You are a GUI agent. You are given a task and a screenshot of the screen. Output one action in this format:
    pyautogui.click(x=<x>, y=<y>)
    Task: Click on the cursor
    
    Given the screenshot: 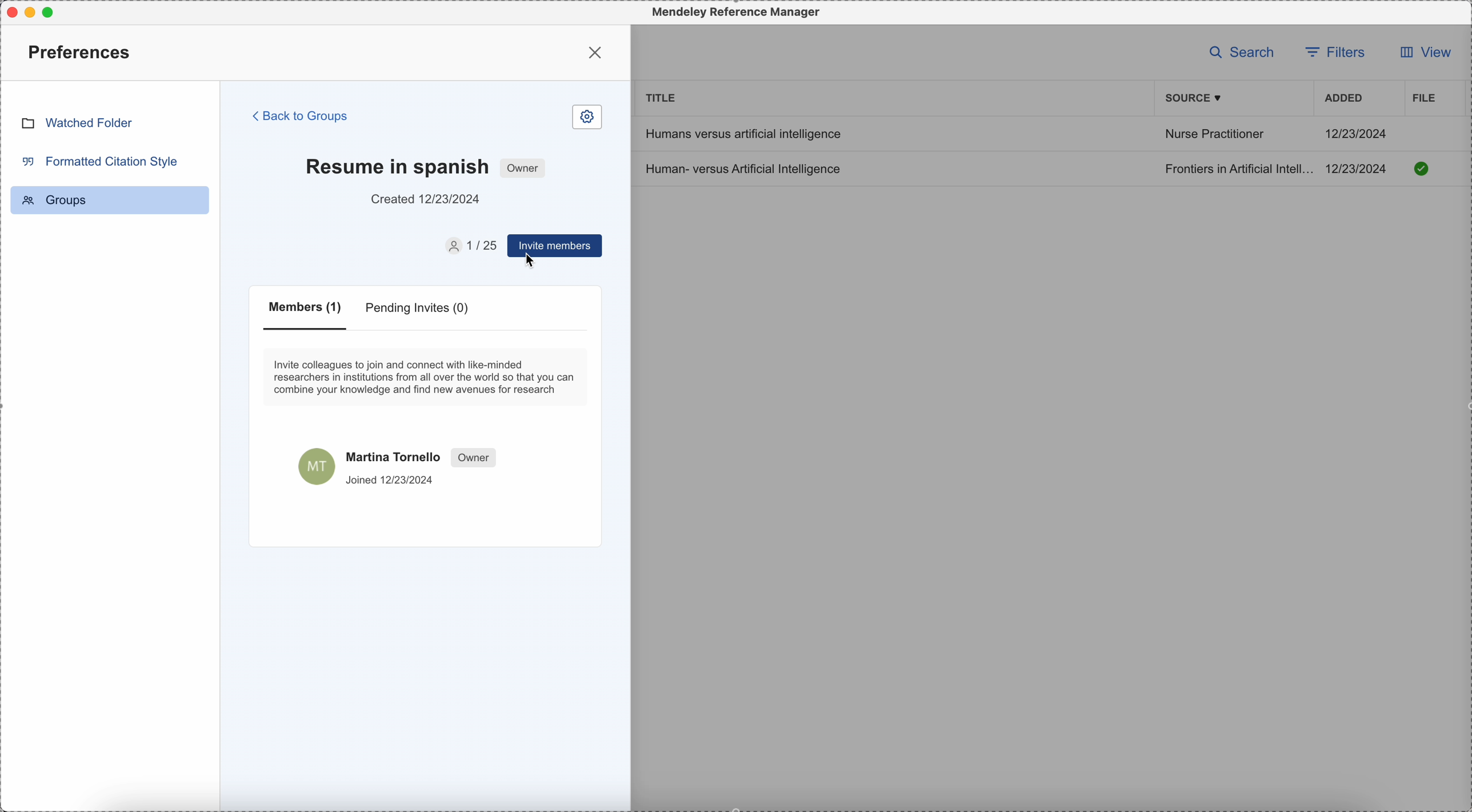 What is the action you would take?
    pyautogui.click(x=531, y=262)
    